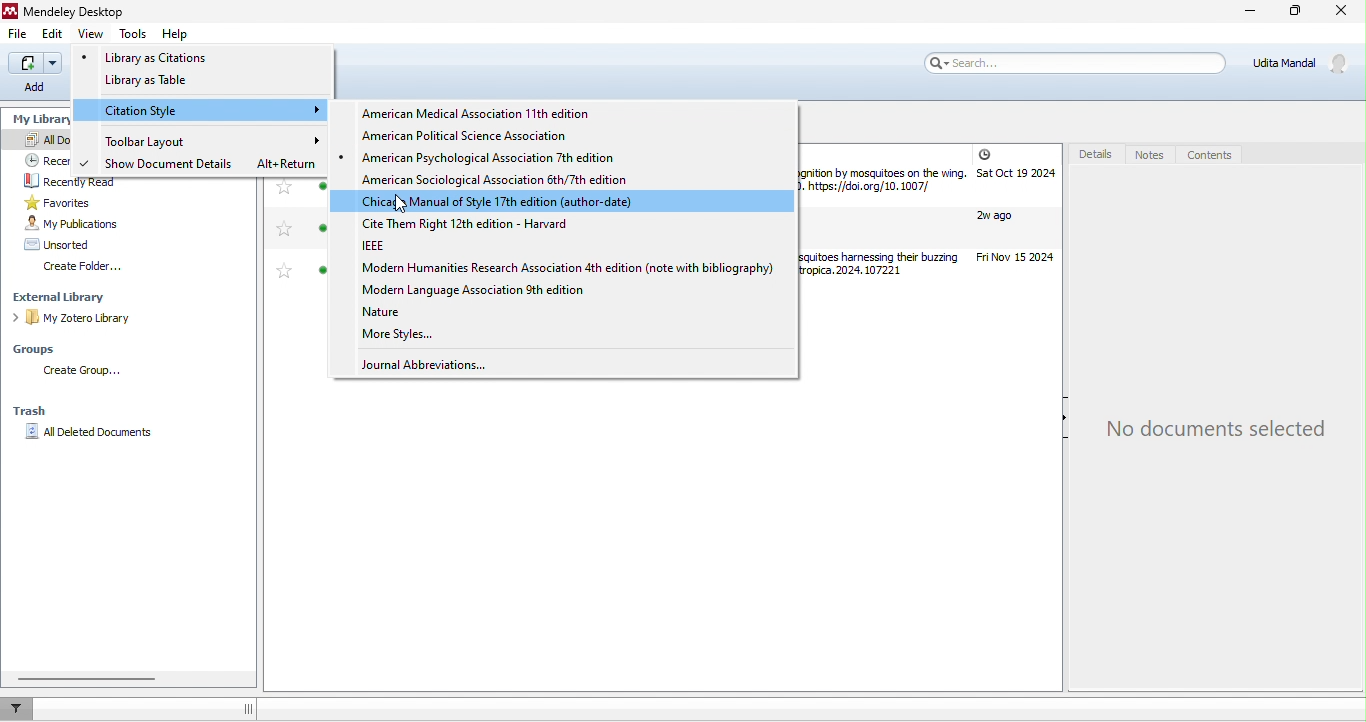  Describe the element at coordinates (69, 247) in the screenshot. I see `unsorted` at that location.